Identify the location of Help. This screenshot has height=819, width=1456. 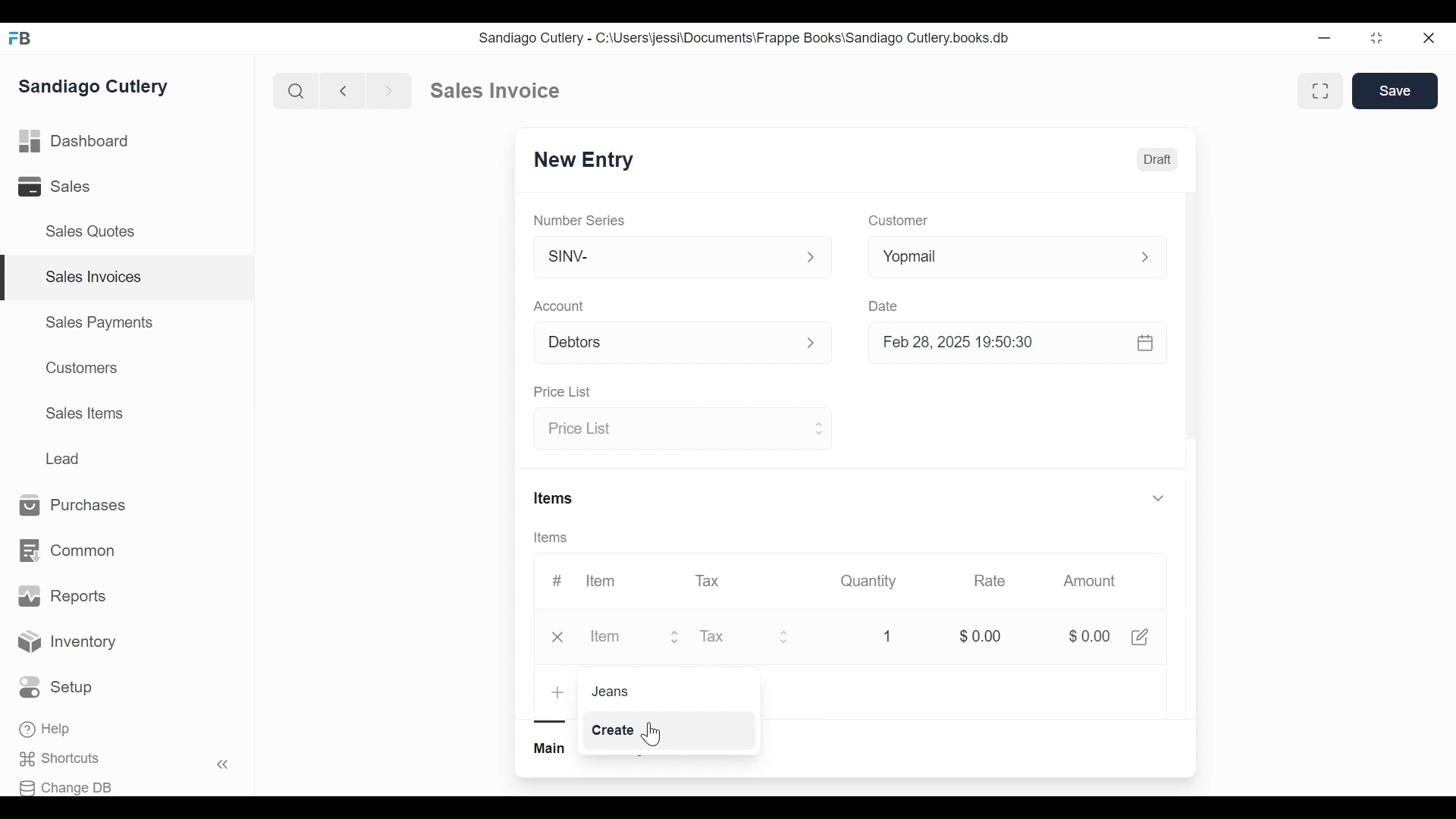
(46, 729).